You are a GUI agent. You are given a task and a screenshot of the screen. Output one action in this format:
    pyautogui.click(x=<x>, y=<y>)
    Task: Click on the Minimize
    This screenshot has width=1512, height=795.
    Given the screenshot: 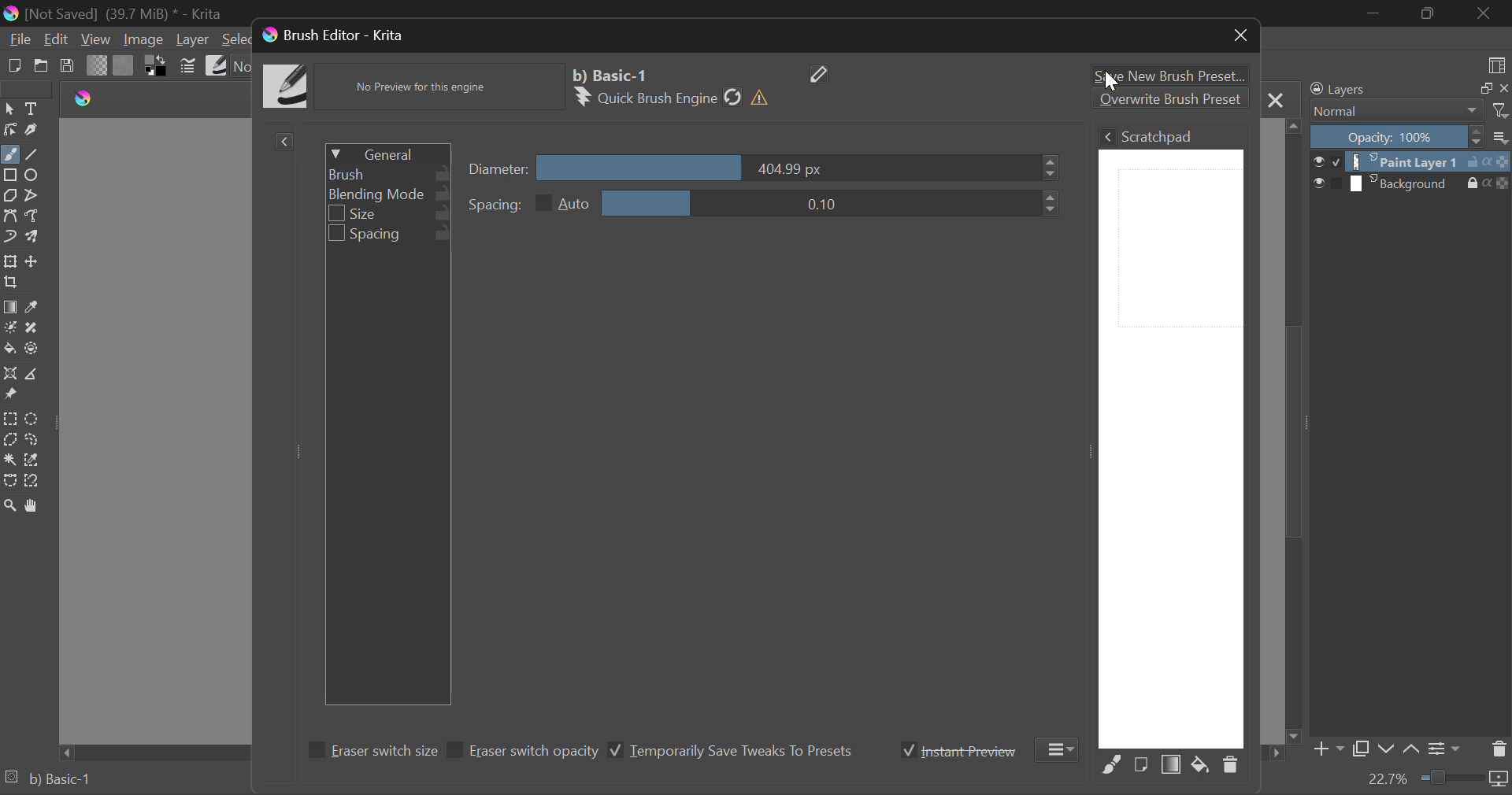 What is the action you would take?
    pyautogui.click(x=1429, y=13)
    